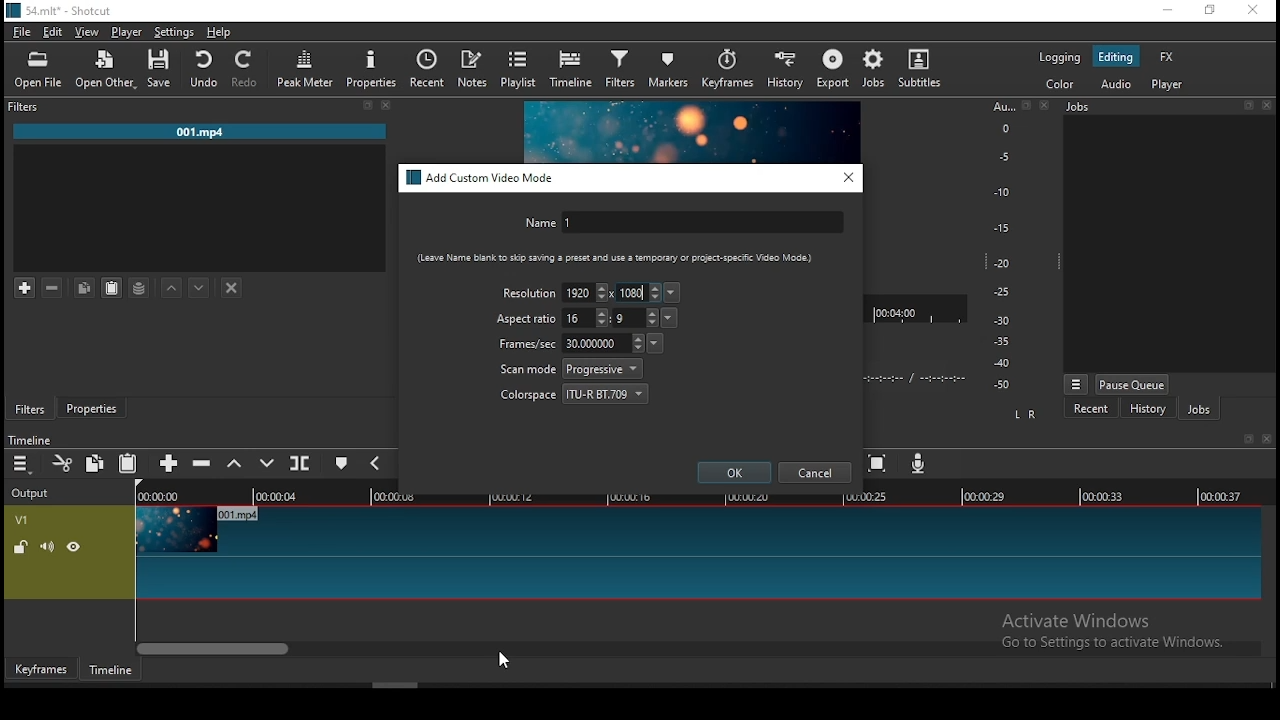 This screenshot has width=1280, height=720. I want to click on split at playhead, so click(299, 462).